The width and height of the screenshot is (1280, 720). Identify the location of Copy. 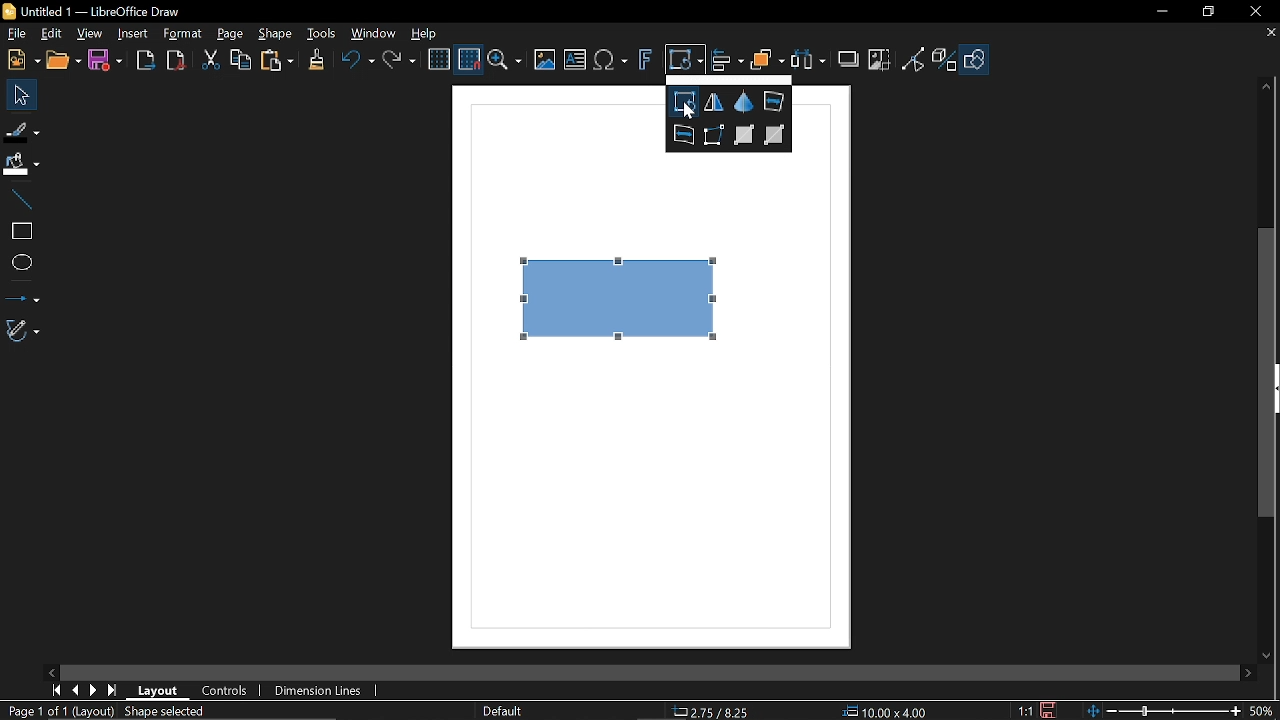
(239, 63).